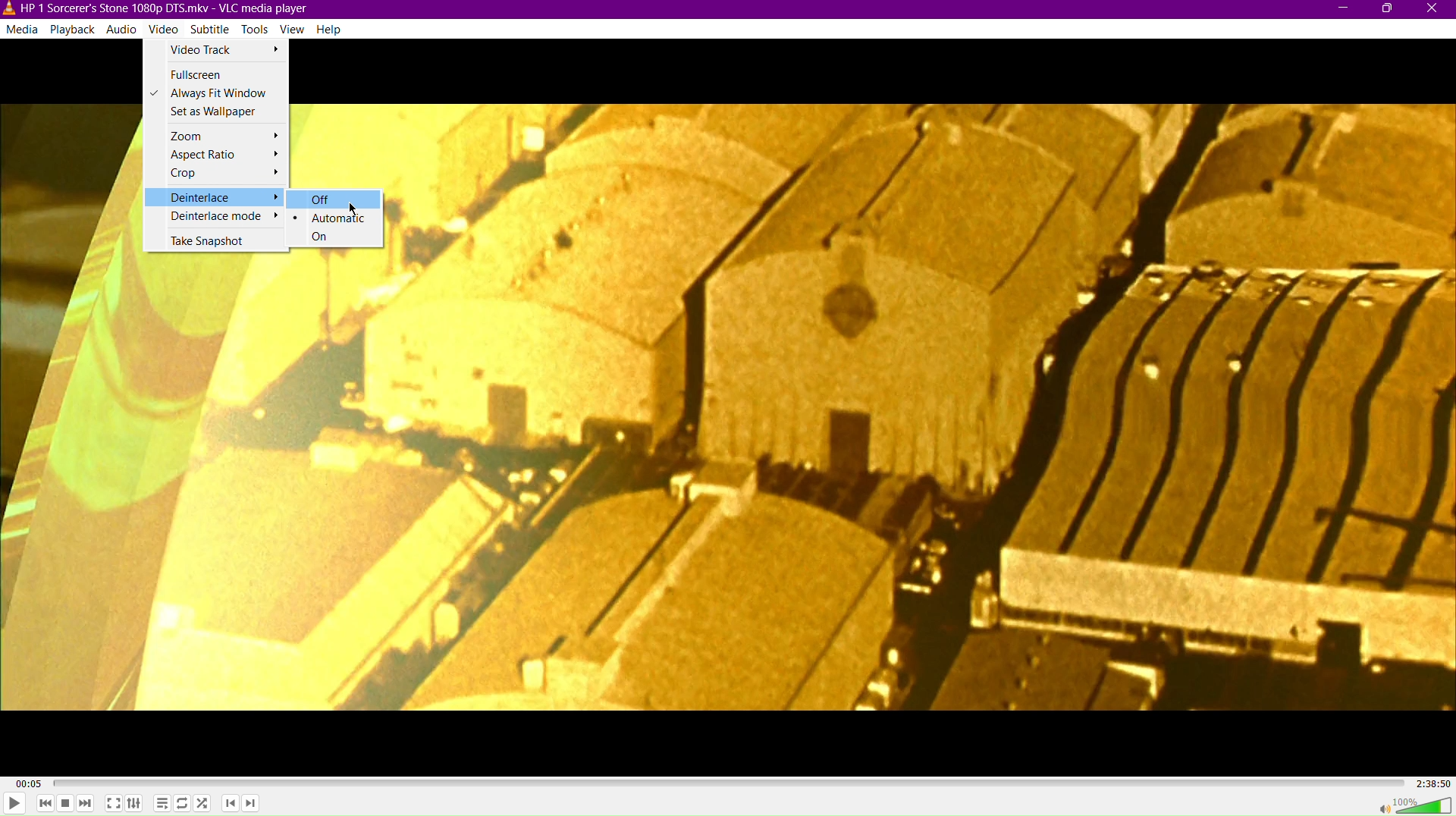  What do you see at coordinates (21, 30) in the screenshot?
I see `Media` at bounding box center [21, 30].